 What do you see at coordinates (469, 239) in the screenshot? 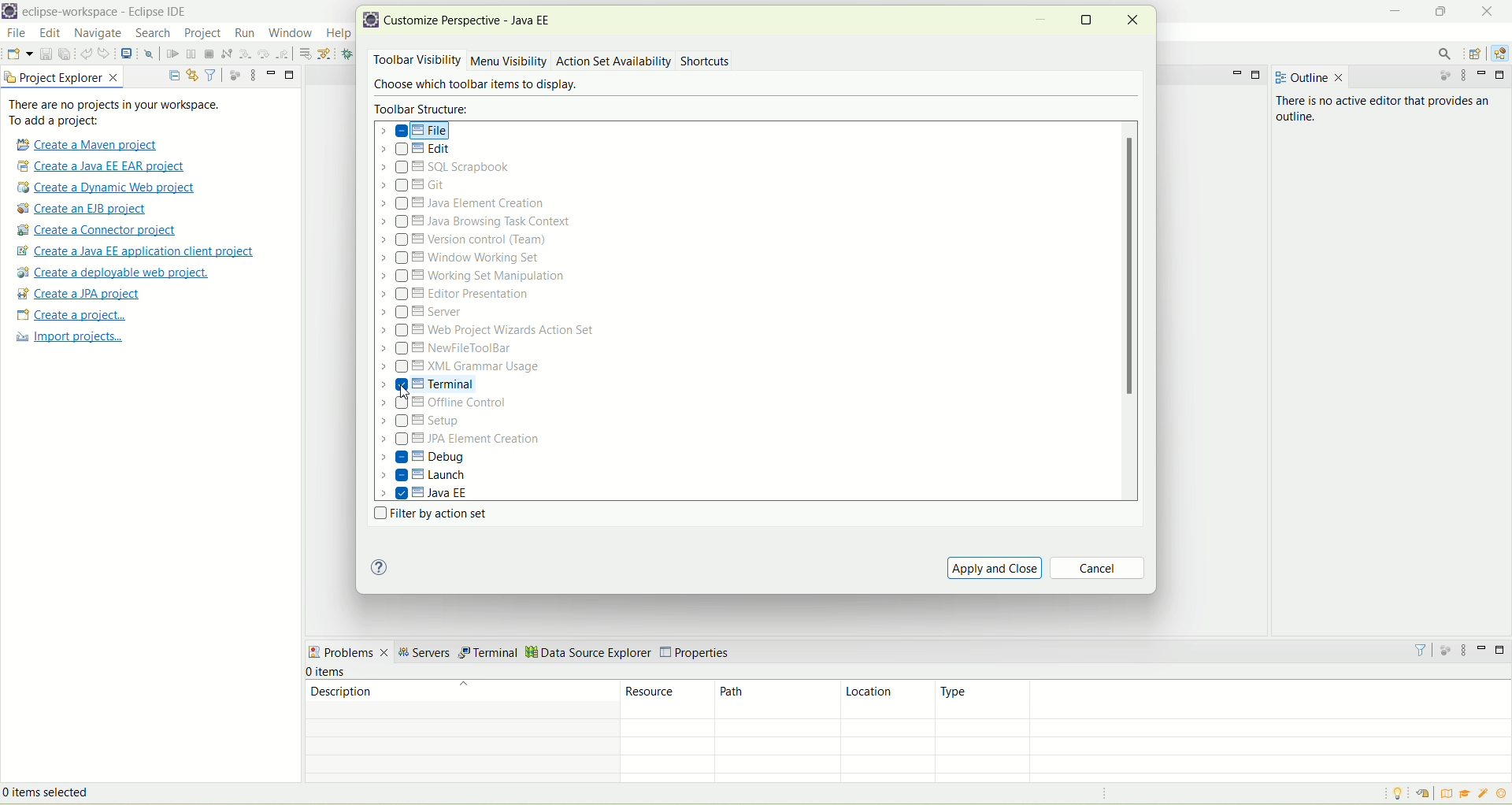
I see `version control` at bounding box center [469, 239].